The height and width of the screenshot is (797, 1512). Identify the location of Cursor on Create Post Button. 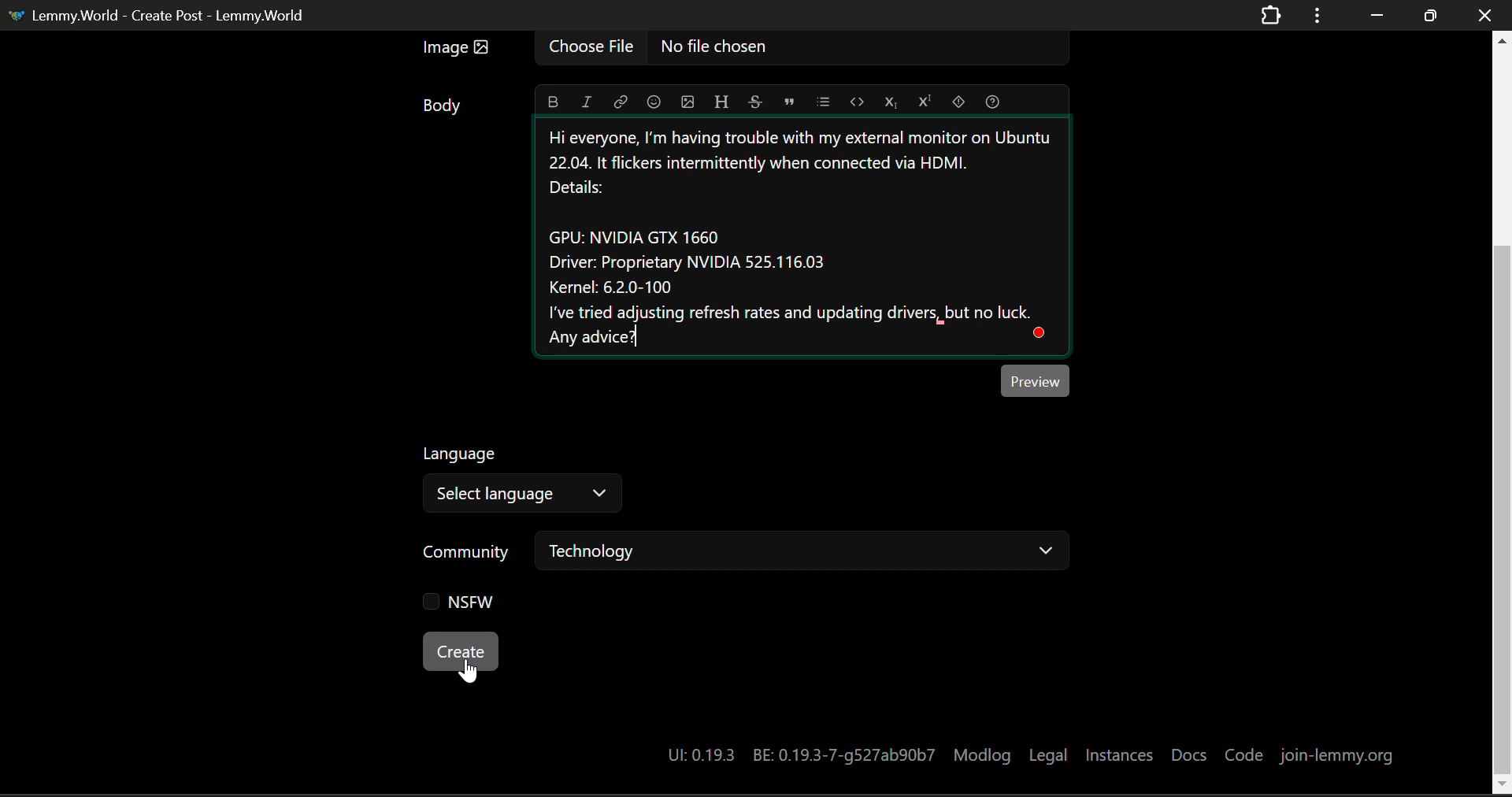
(467, 670).